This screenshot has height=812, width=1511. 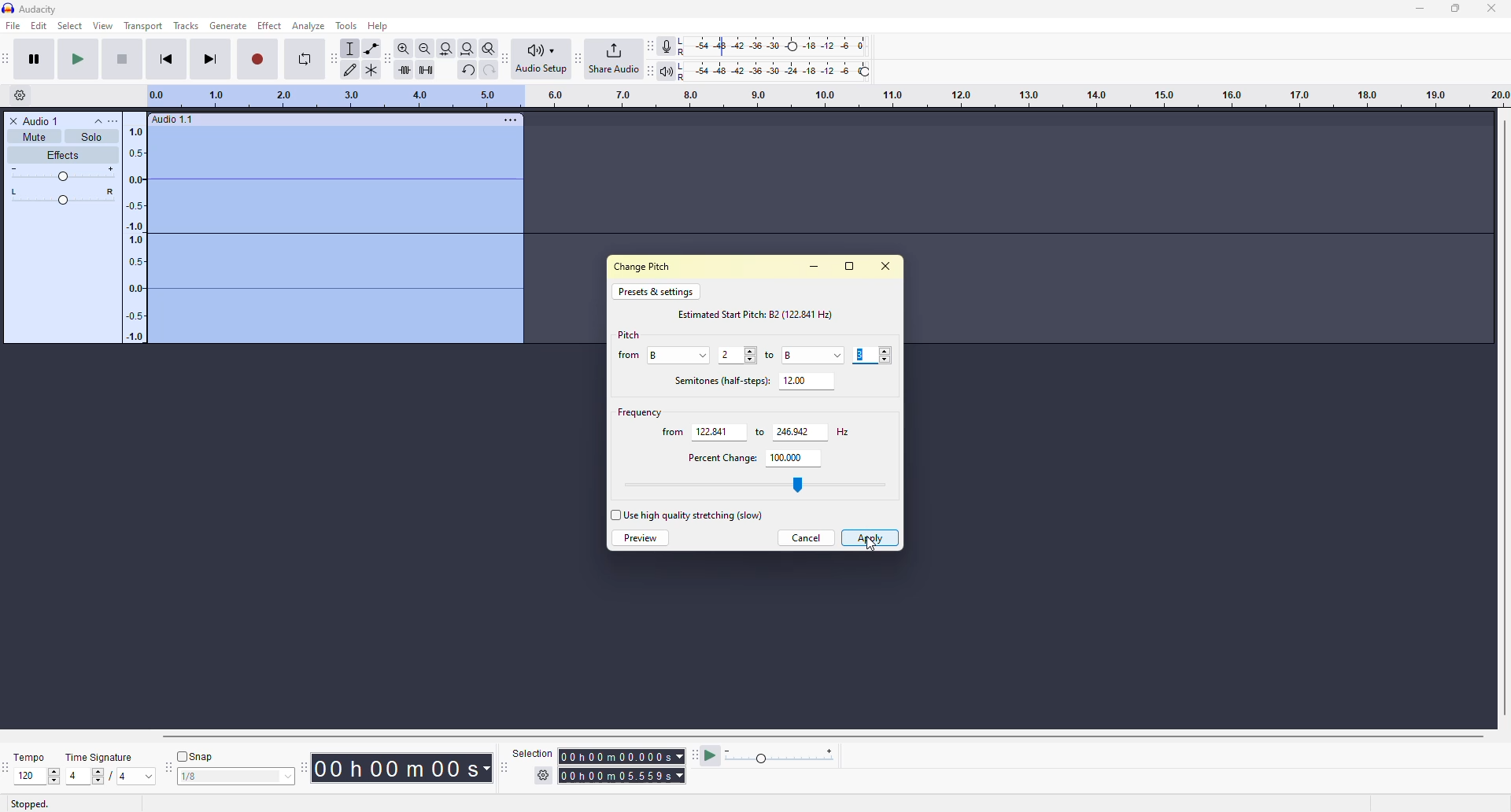 I want to click on hz, so click(x=840, y=431).